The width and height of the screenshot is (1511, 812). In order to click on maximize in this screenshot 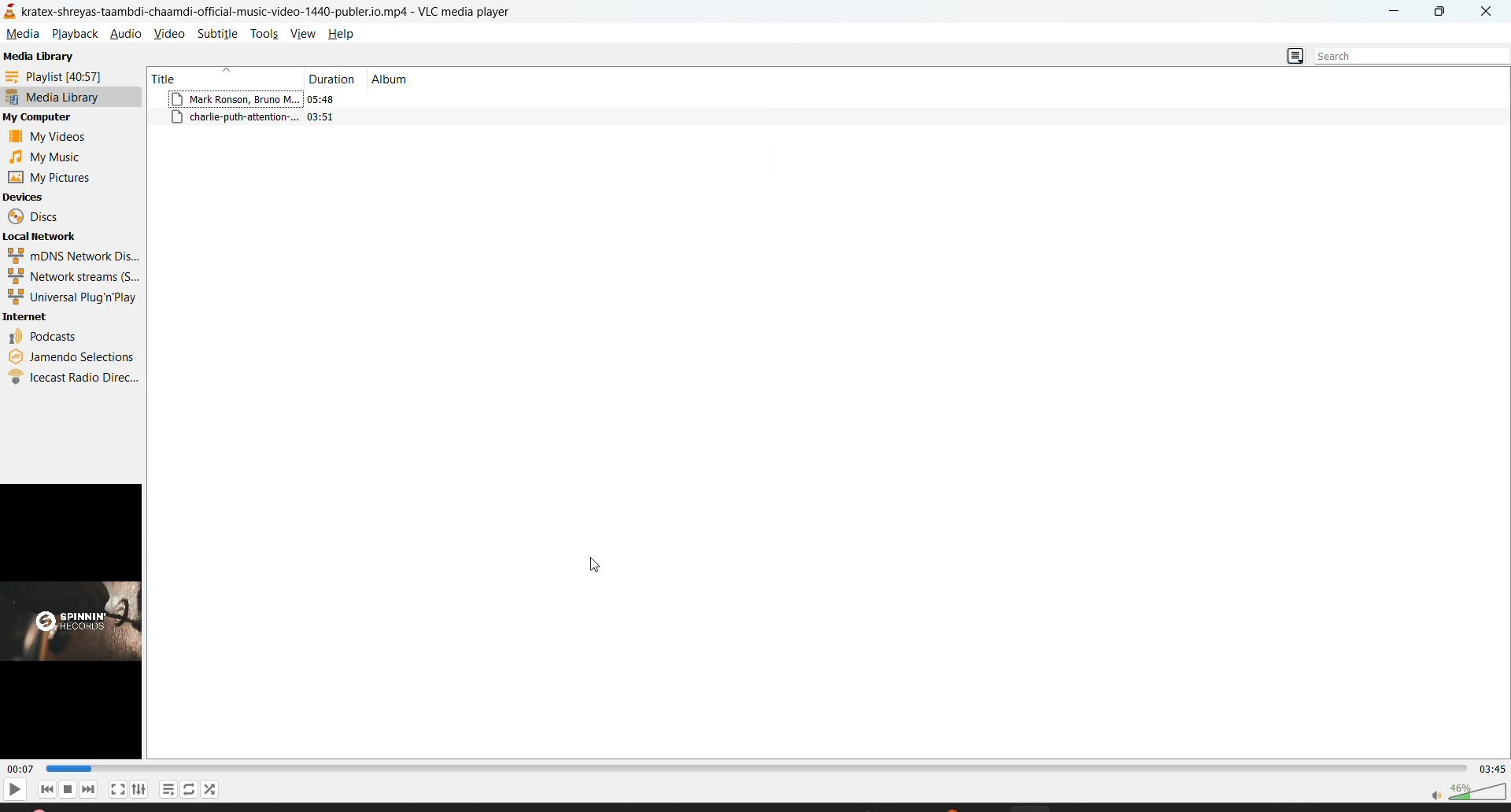, I will do `click(1445, 13)`.